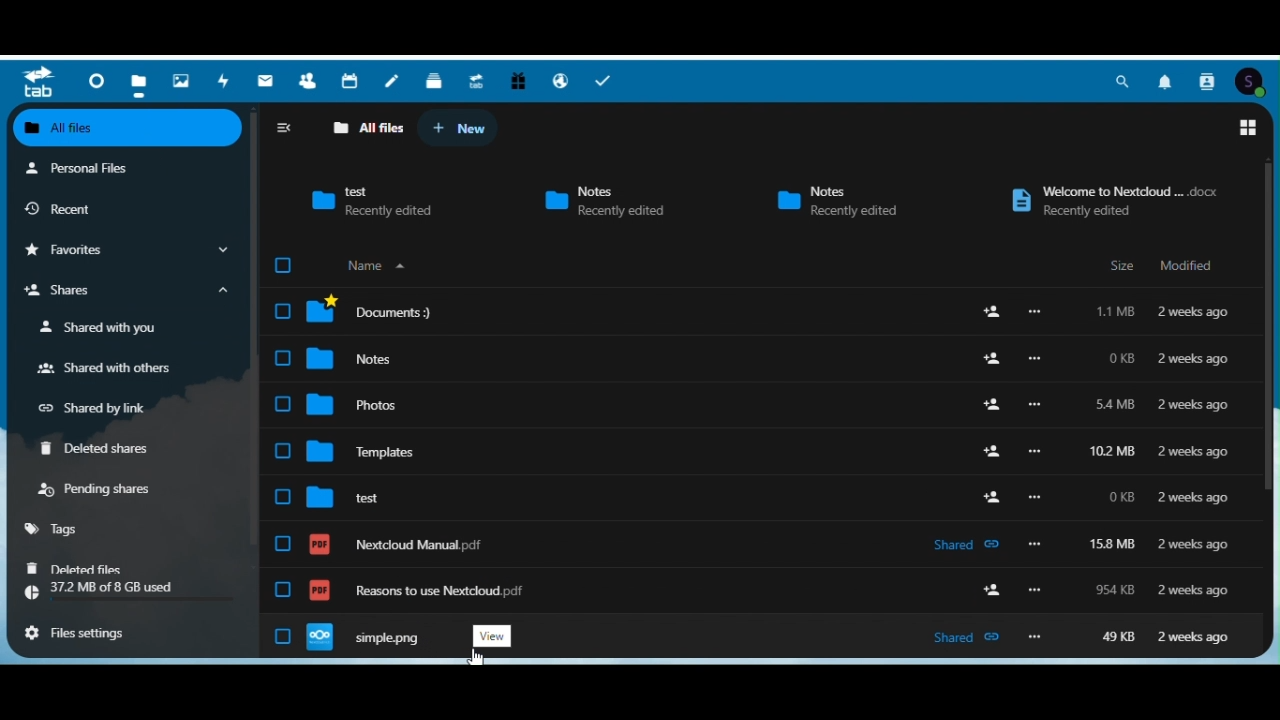  Describe the element at coordinates (283, 451) in the screenshot. I see `checkbox` at that location.